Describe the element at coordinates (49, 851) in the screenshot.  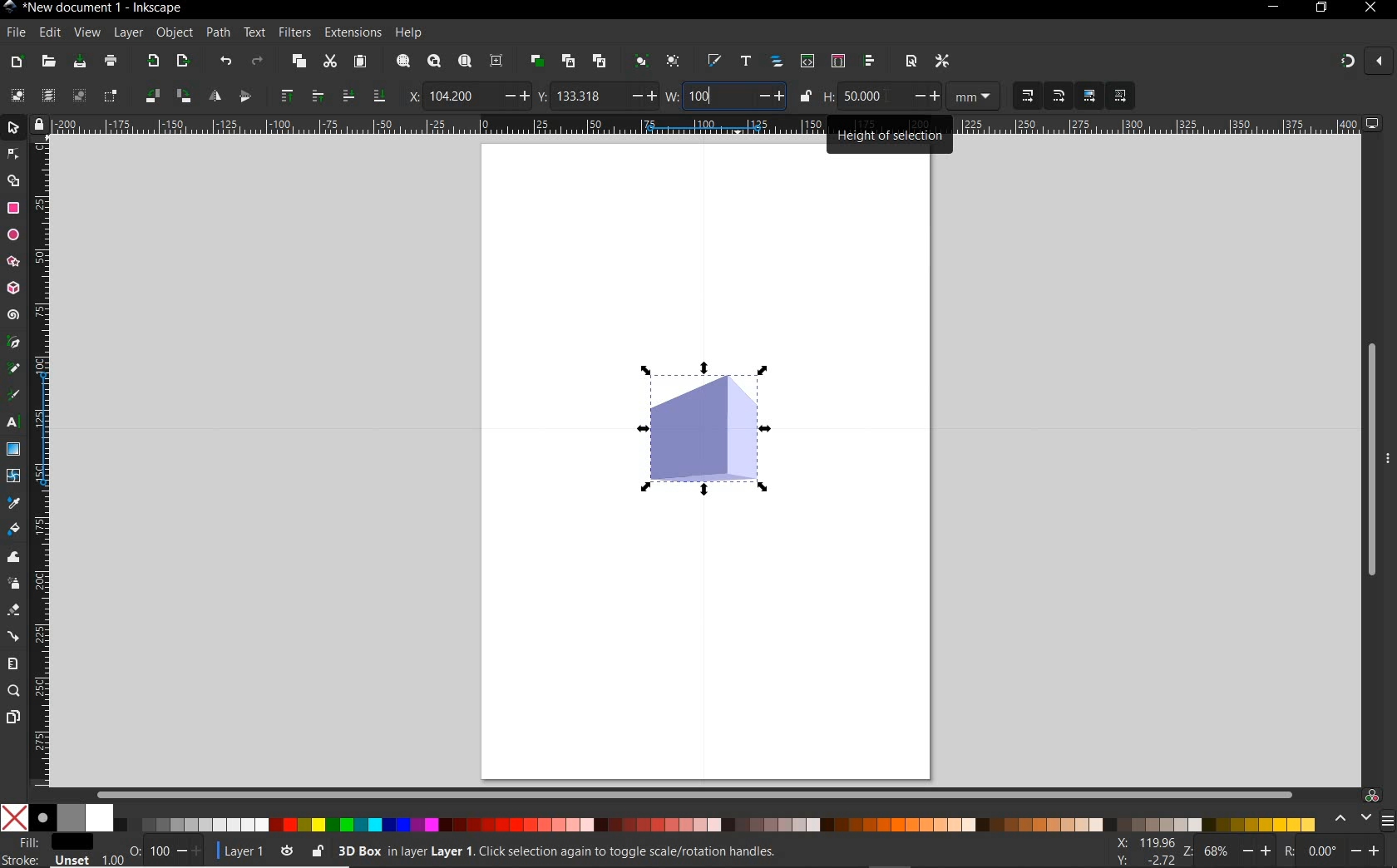
I see `fill and stroke` at that location.